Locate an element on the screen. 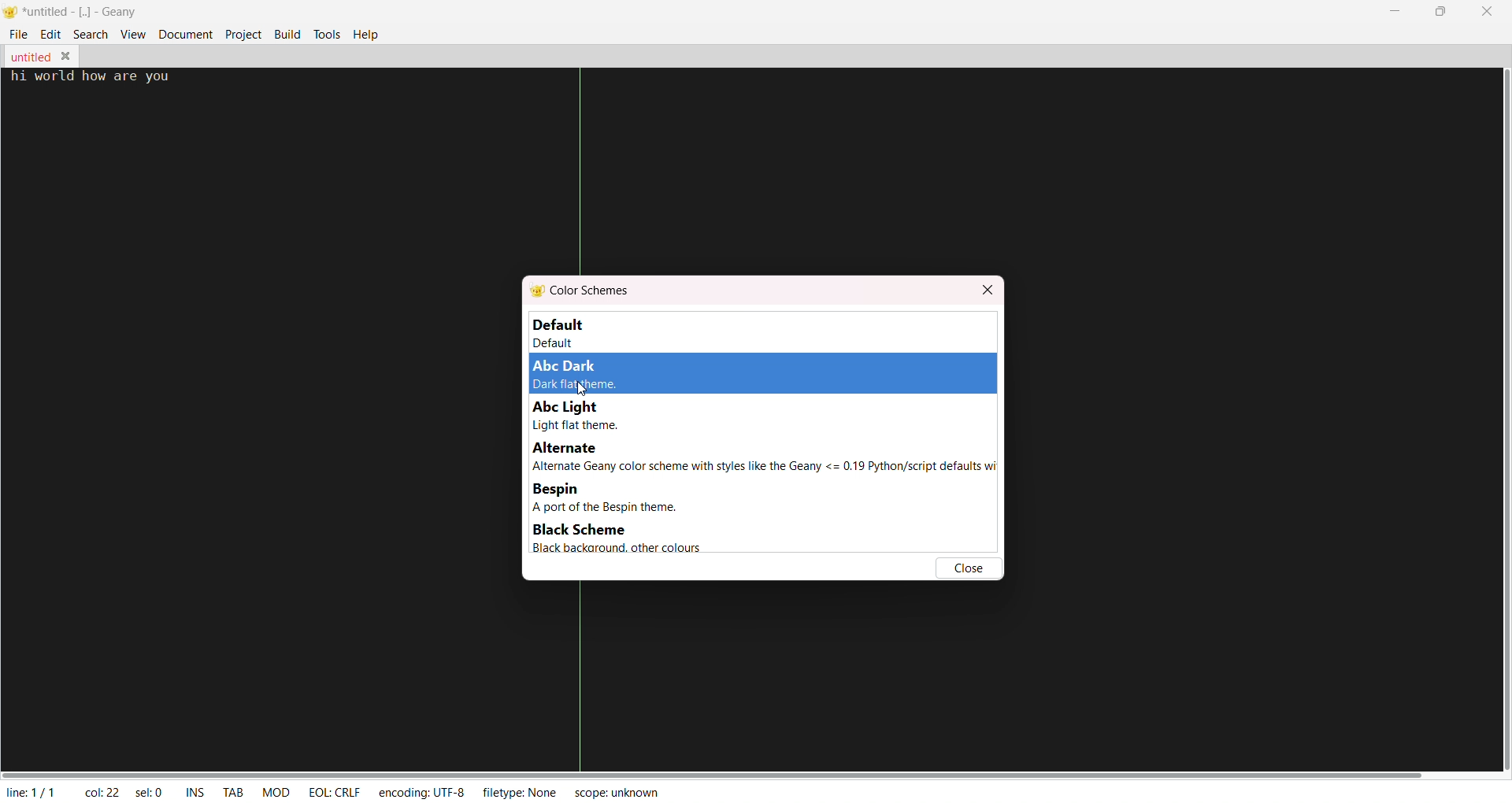 This screenshot has width=1512, height=803. hi world how are you is located at coordinates (91, 76).